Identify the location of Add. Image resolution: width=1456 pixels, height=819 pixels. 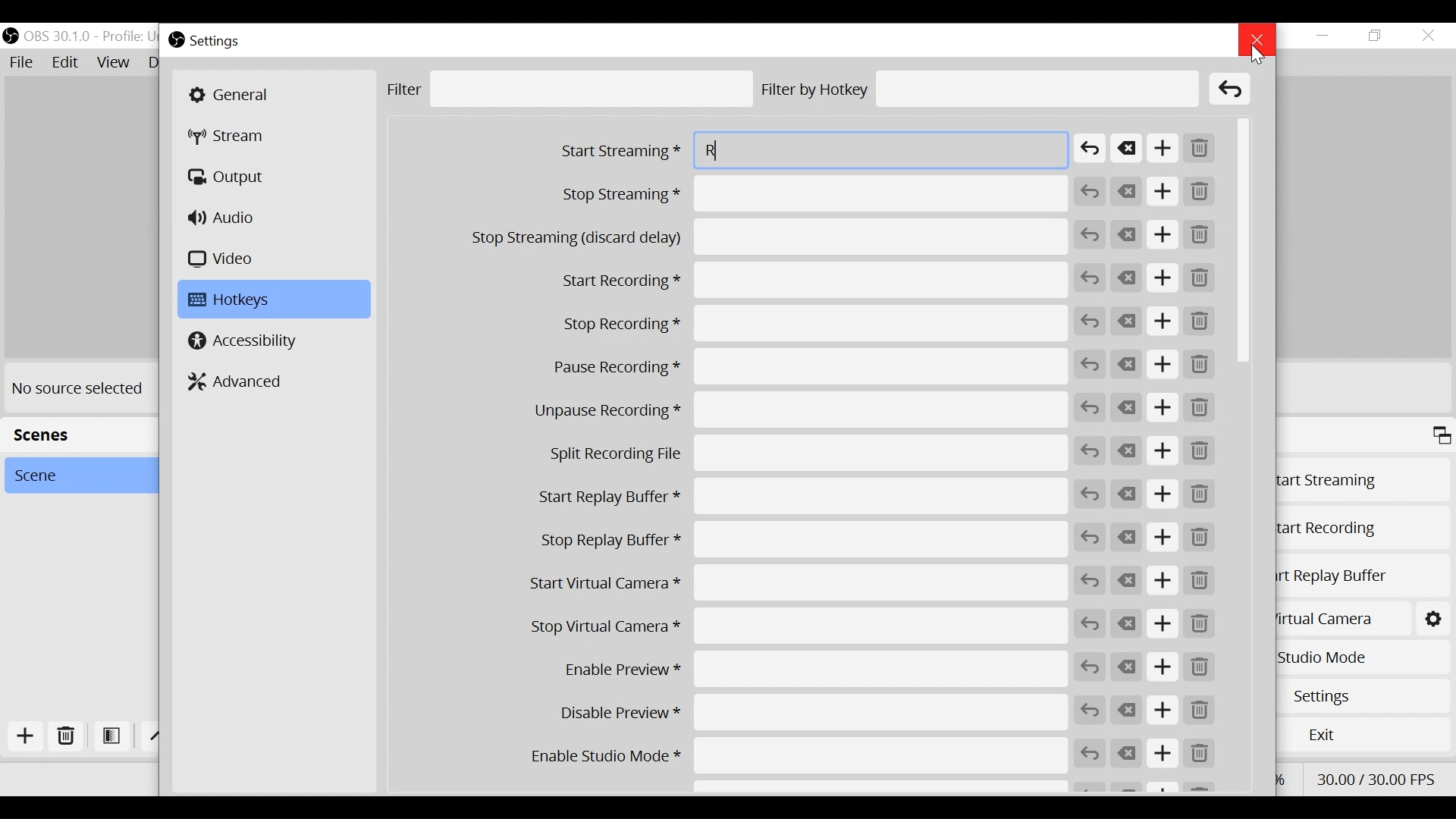
(1163, 453).